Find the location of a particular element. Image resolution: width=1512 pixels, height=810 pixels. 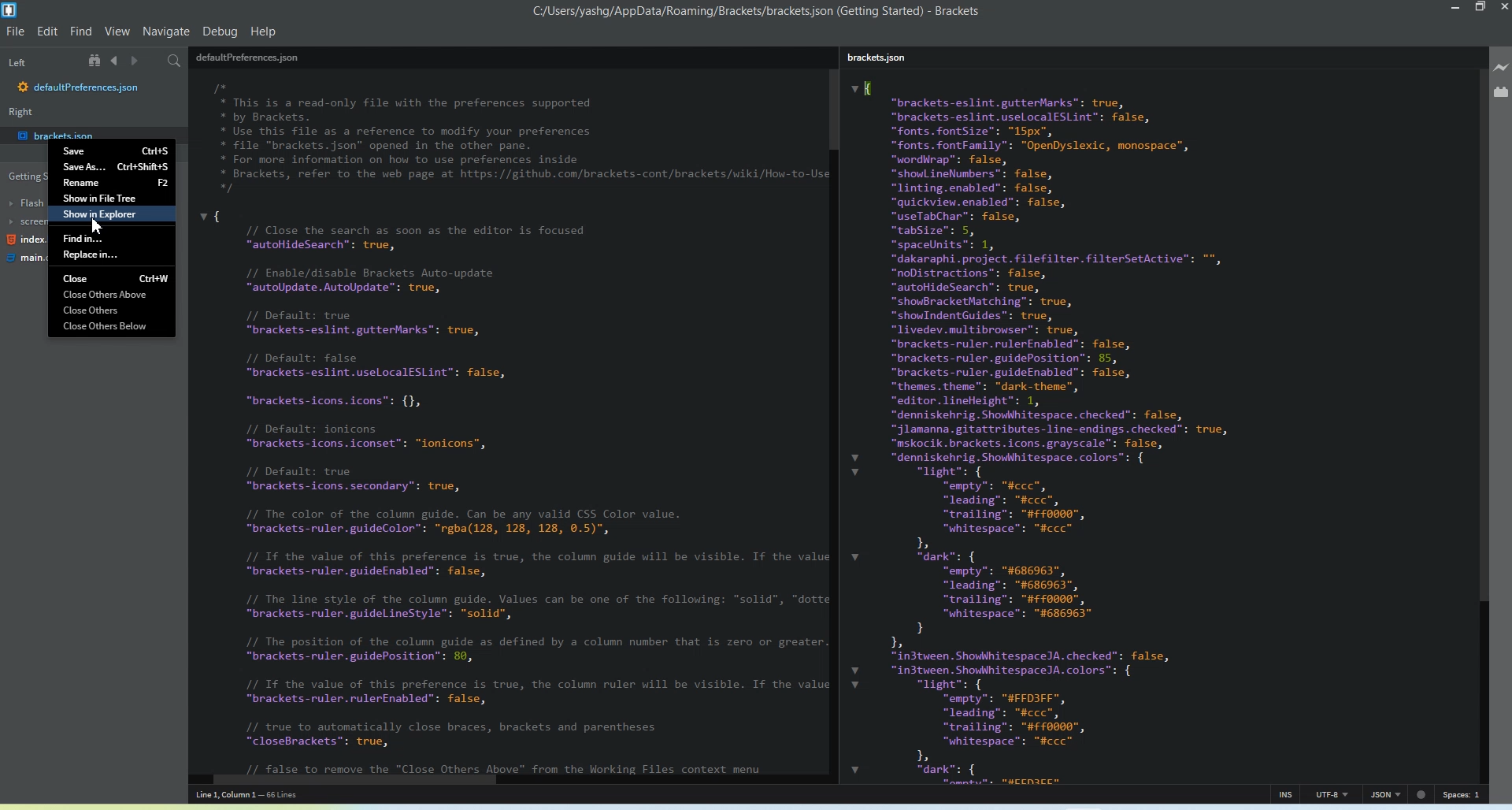

cursor is located at coordinates (97, 227).